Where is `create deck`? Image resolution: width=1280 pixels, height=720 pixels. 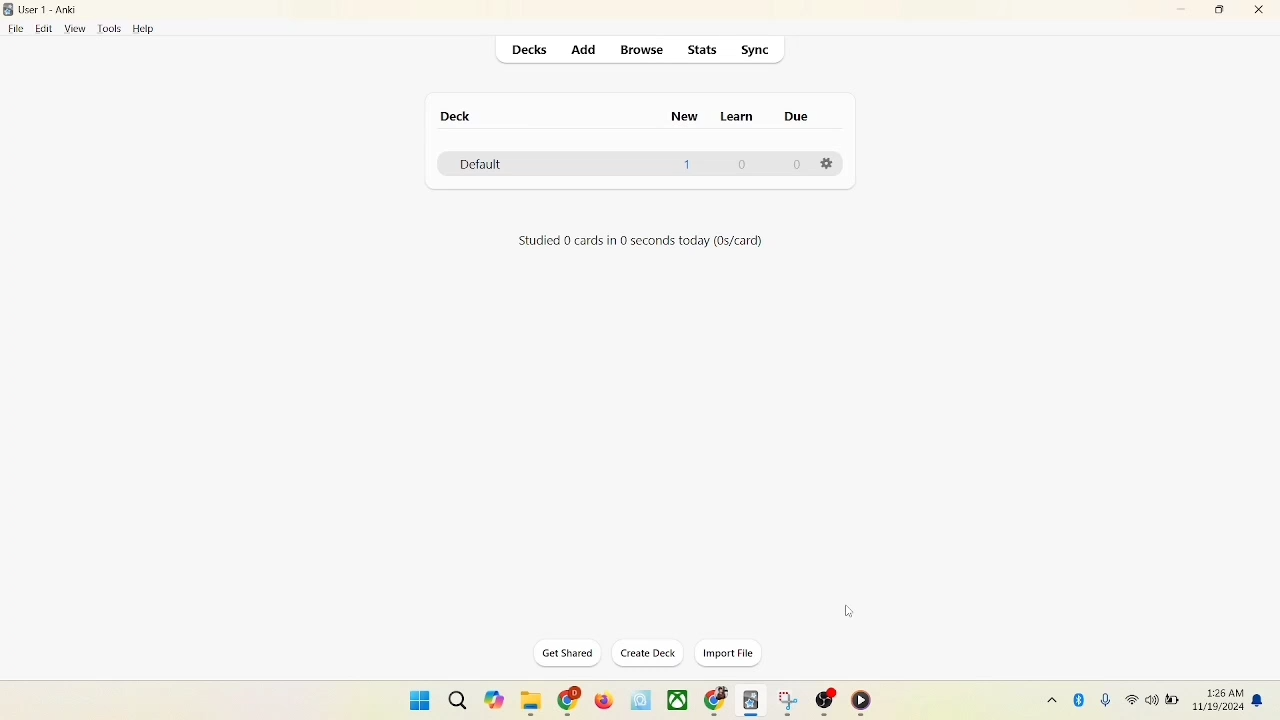 create deck is located at coordinates (644, 654).